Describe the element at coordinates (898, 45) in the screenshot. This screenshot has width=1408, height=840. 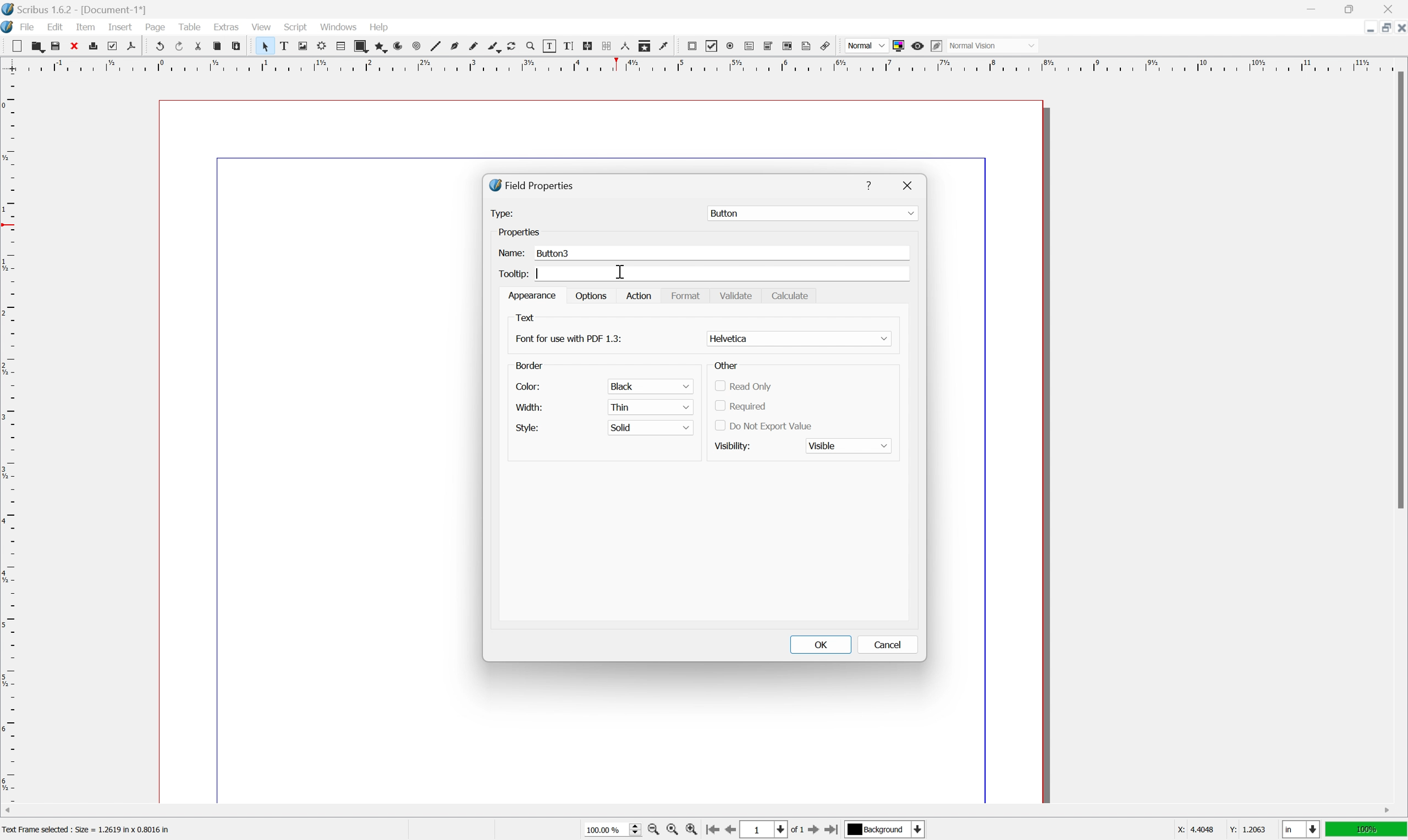
I see `toggle color management system` at that location.